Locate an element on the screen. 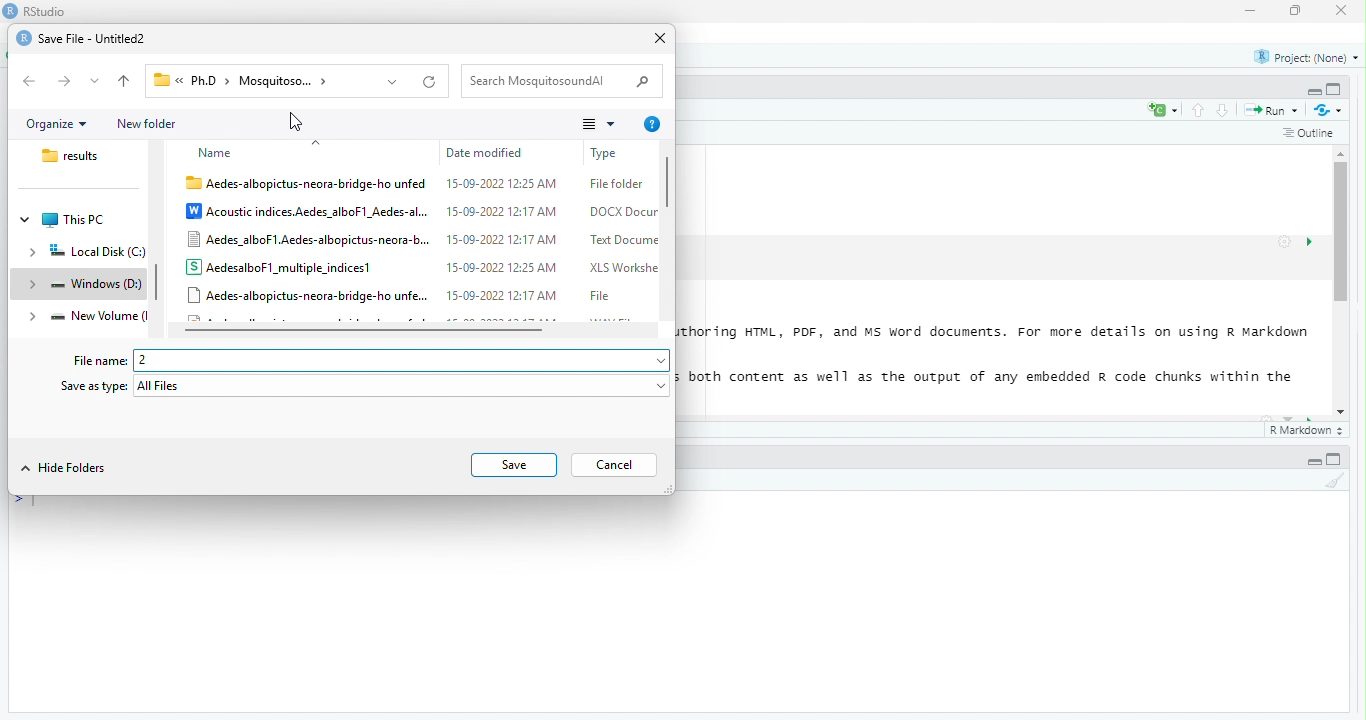 This screenshot has width=1366, height=720. cursor is located at coordinates (297, 121).